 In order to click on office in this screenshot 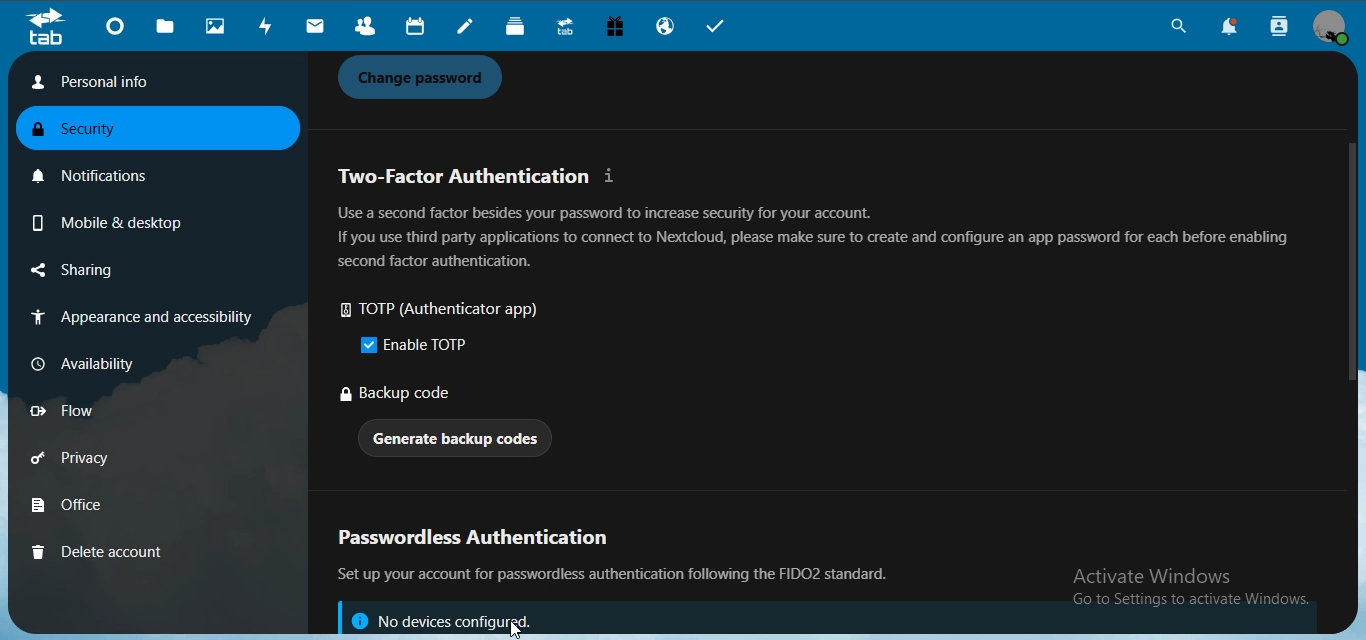, I will do `click(97, 507)`.